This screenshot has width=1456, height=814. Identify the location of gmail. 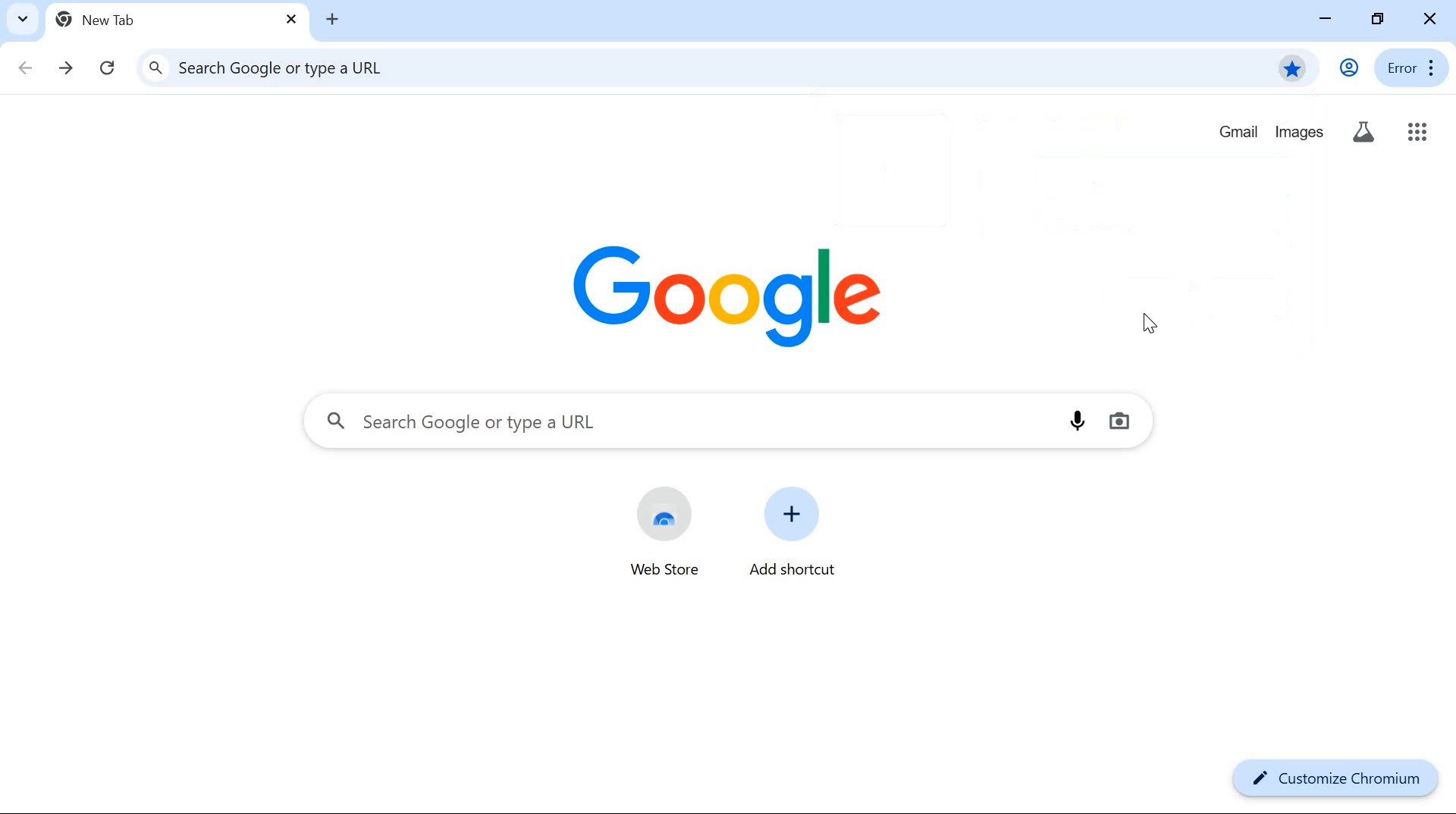
(1237, 133).